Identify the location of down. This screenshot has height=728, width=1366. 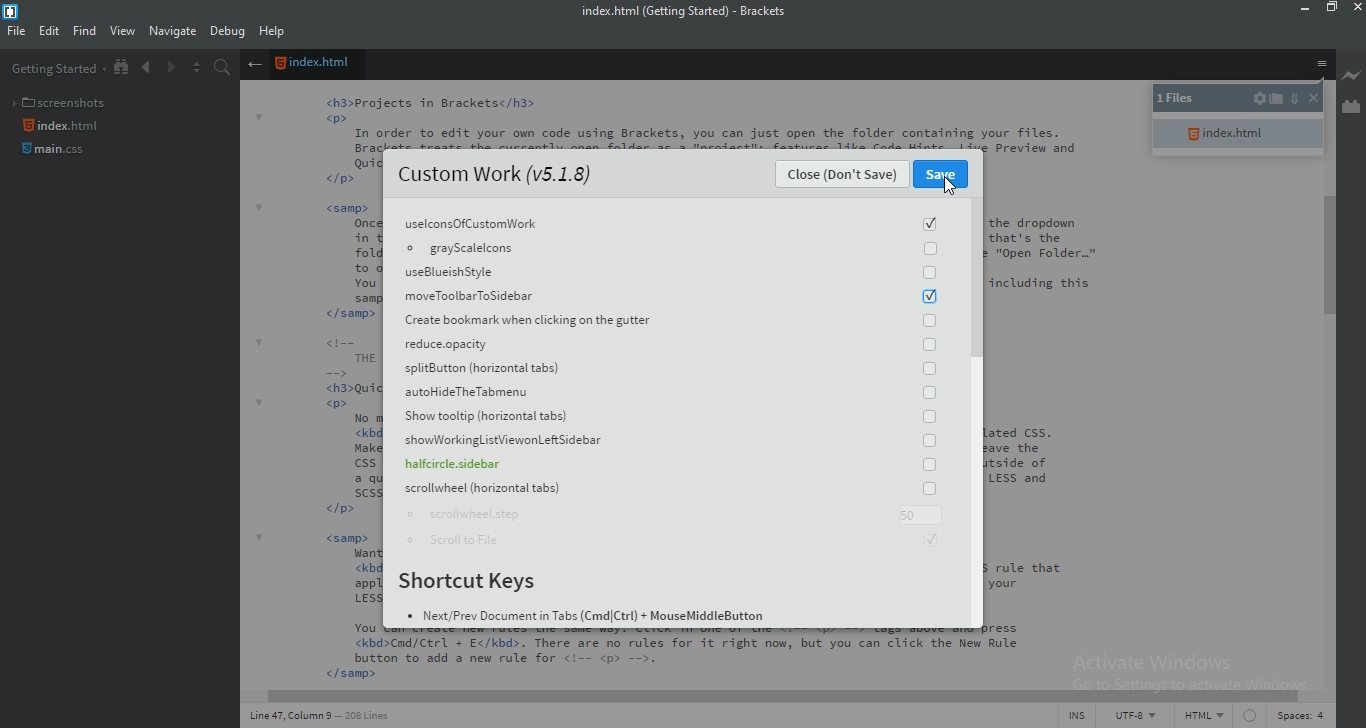
(1293, 97).